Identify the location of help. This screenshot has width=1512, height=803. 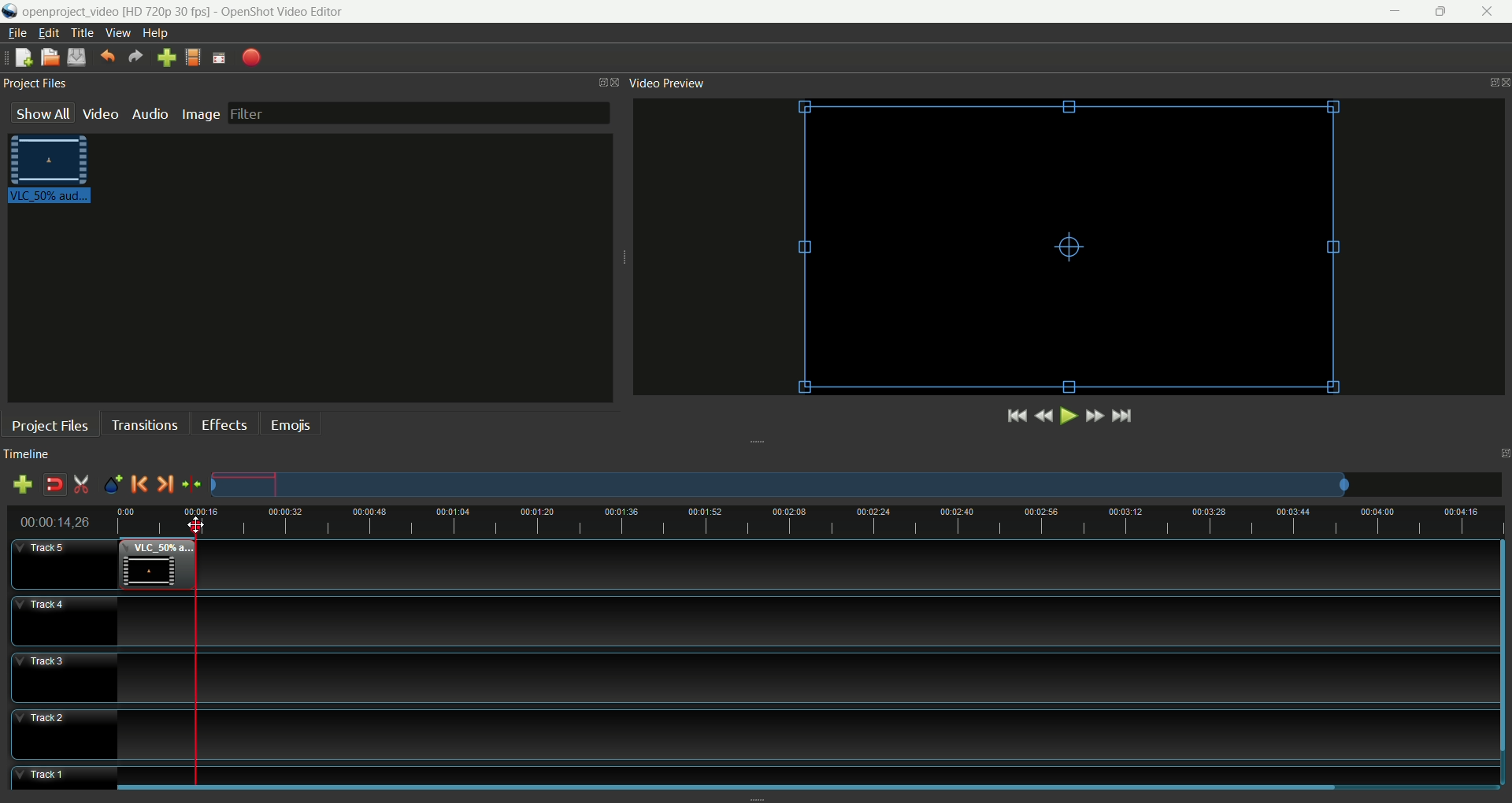
(157, 34).